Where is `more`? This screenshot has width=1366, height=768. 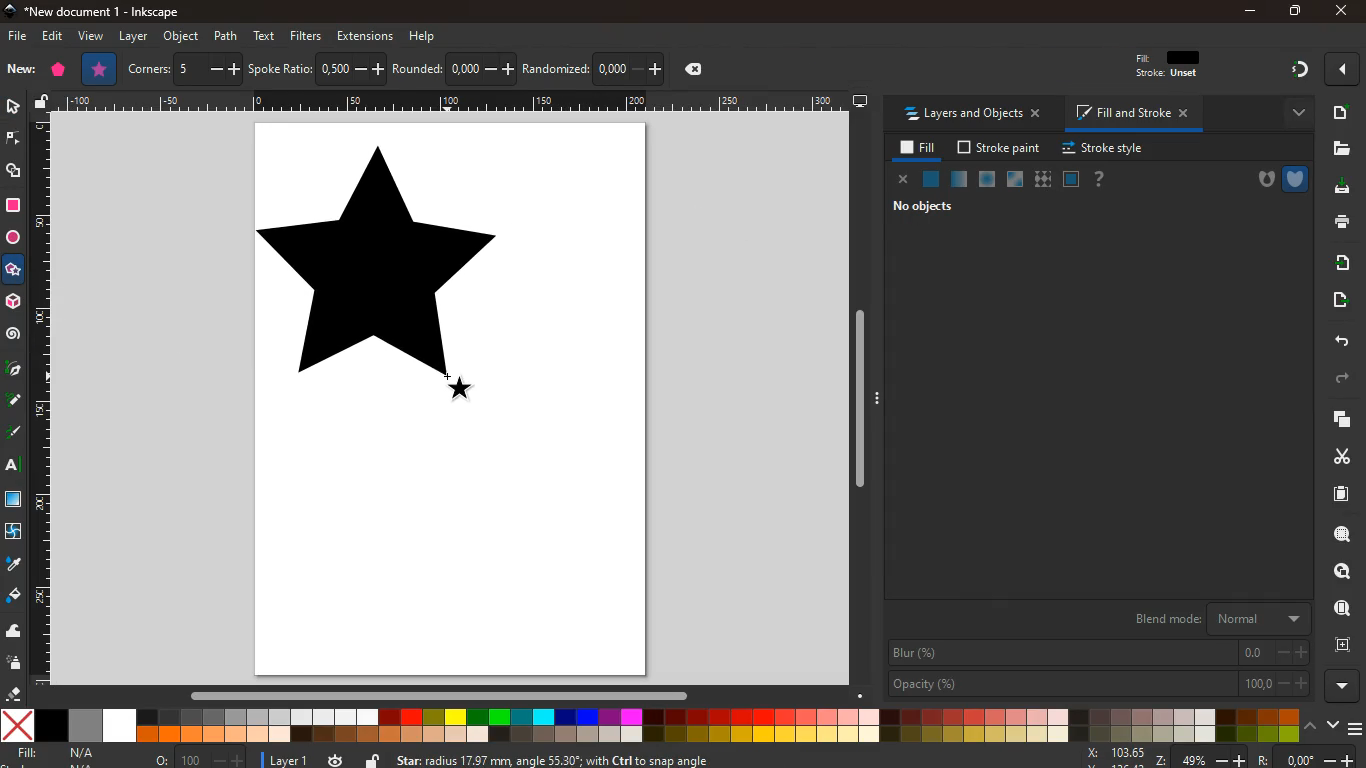
more is located at coordinates (1340, 71).